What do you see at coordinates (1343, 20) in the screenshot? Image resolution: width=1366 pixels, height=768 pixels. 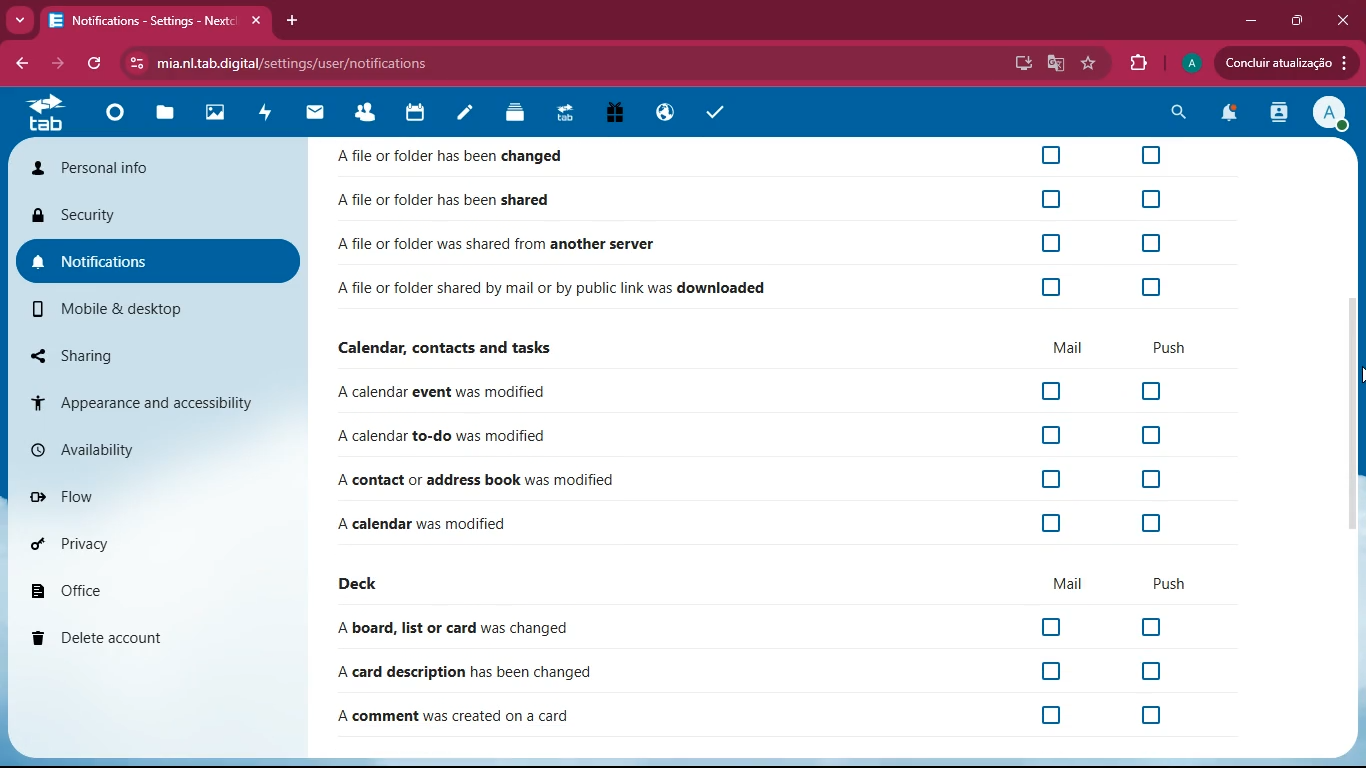 I see `Close` at bounding box center [1343, 20].